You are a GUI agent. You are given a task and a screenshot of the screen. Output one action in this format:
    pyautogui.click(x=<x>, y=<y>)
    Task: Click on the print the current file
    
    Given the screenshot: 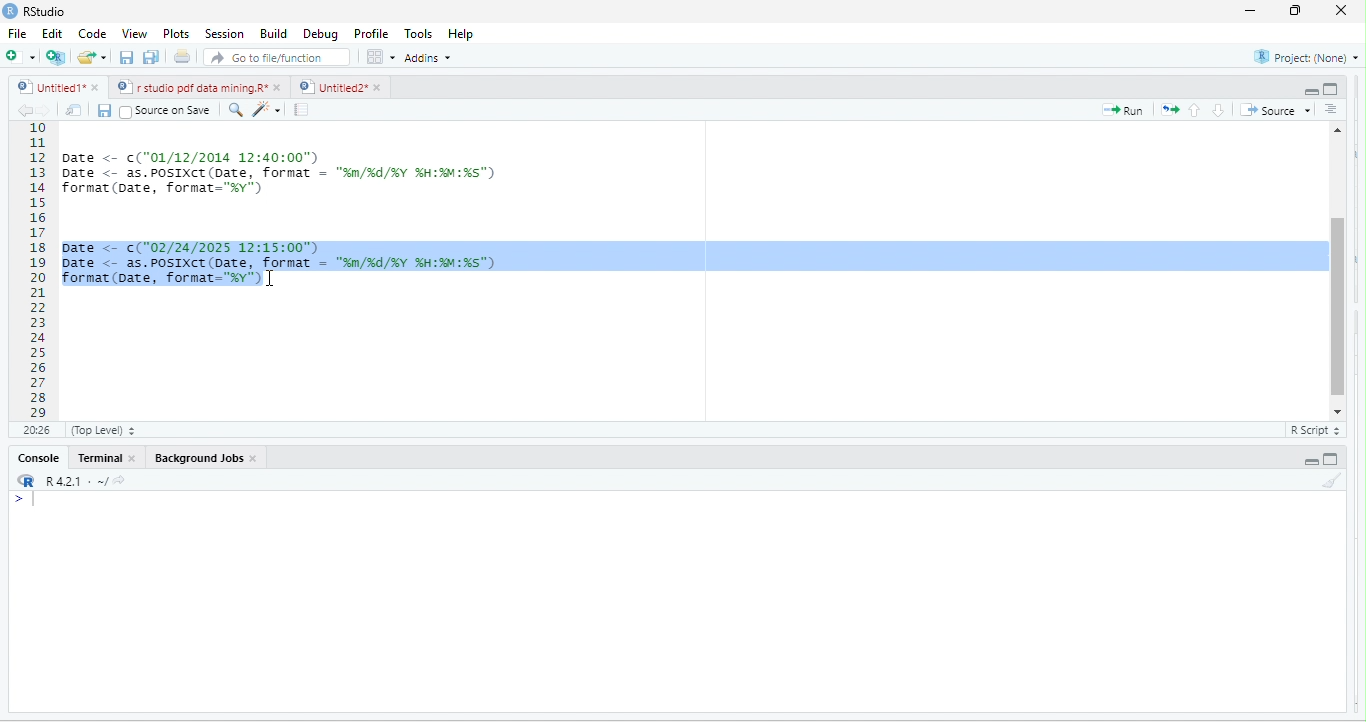 What is the action you would take?
    pyautogui.click(x=181, y=59)
    